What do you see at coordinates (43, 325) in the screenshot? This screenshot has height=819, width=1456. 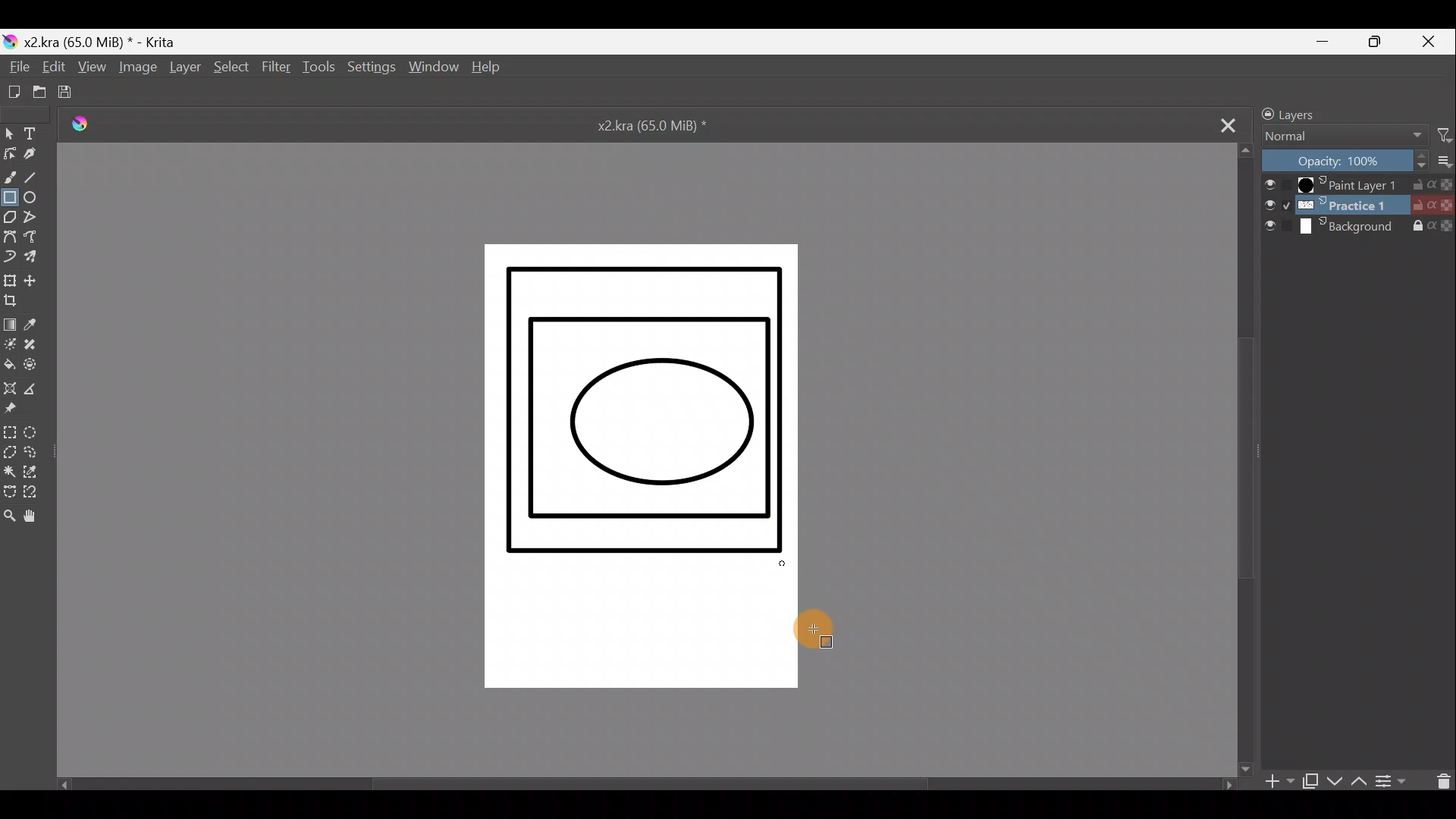 I see `Sample a colour from image/current layer` at bounding box center [43, 325].